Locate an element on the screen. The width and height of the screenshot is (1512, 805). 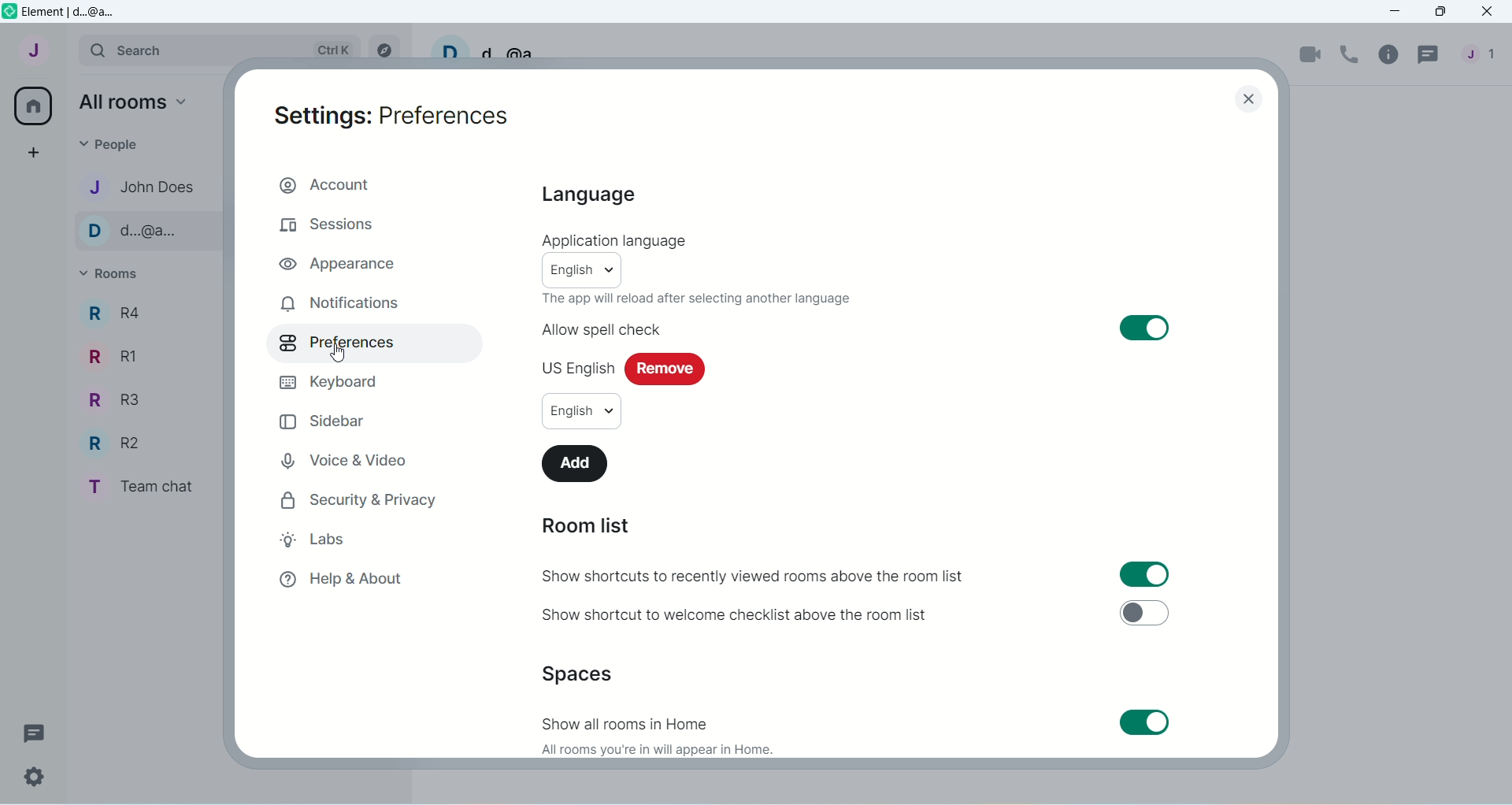
Element app icon is located at coordinates (10, 12).